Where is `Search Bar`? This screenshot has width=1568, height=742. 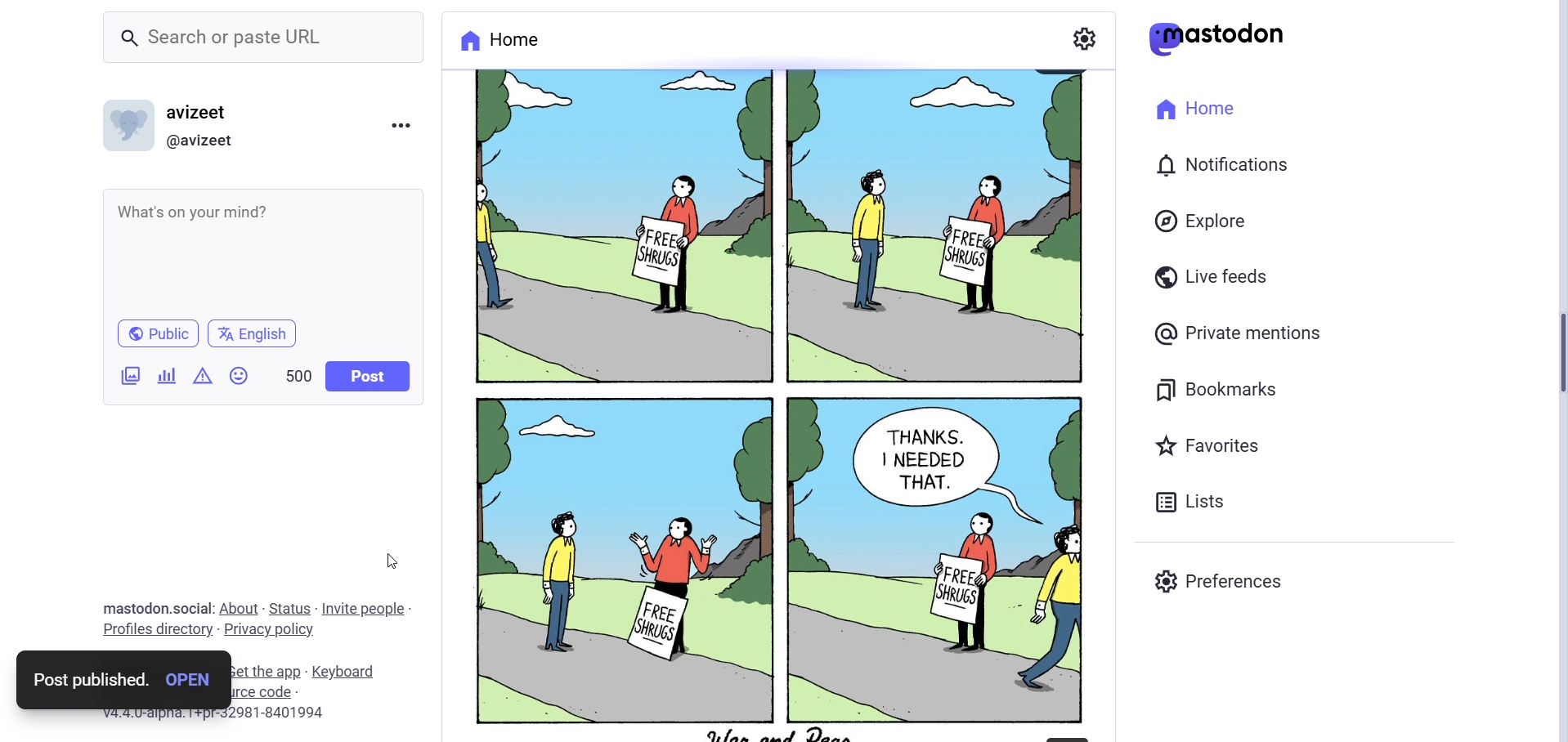
Search Bar is located at coordinates (263, 40).